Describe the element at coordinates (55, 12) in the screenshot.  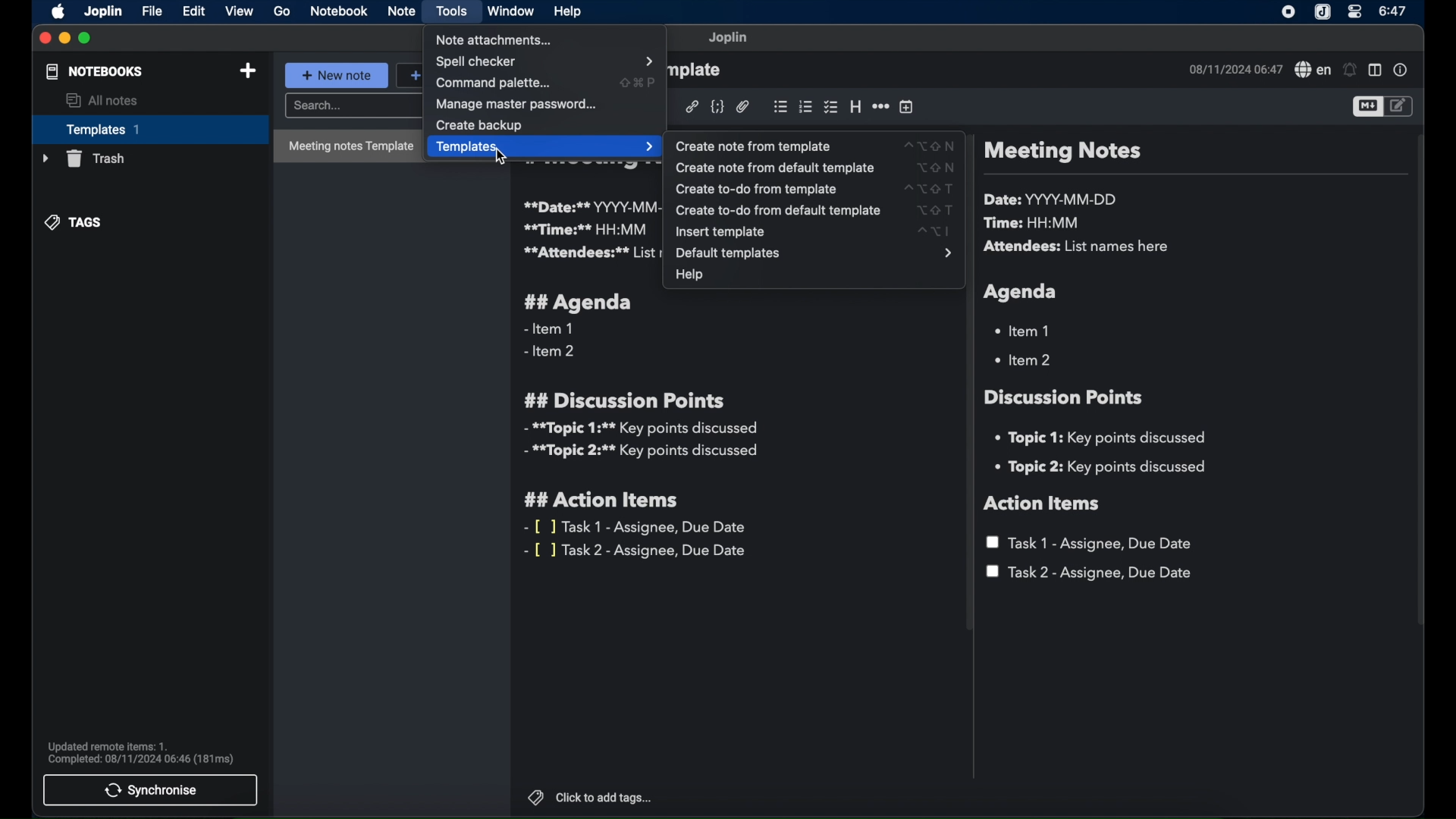
I see `apple icon` at that location.